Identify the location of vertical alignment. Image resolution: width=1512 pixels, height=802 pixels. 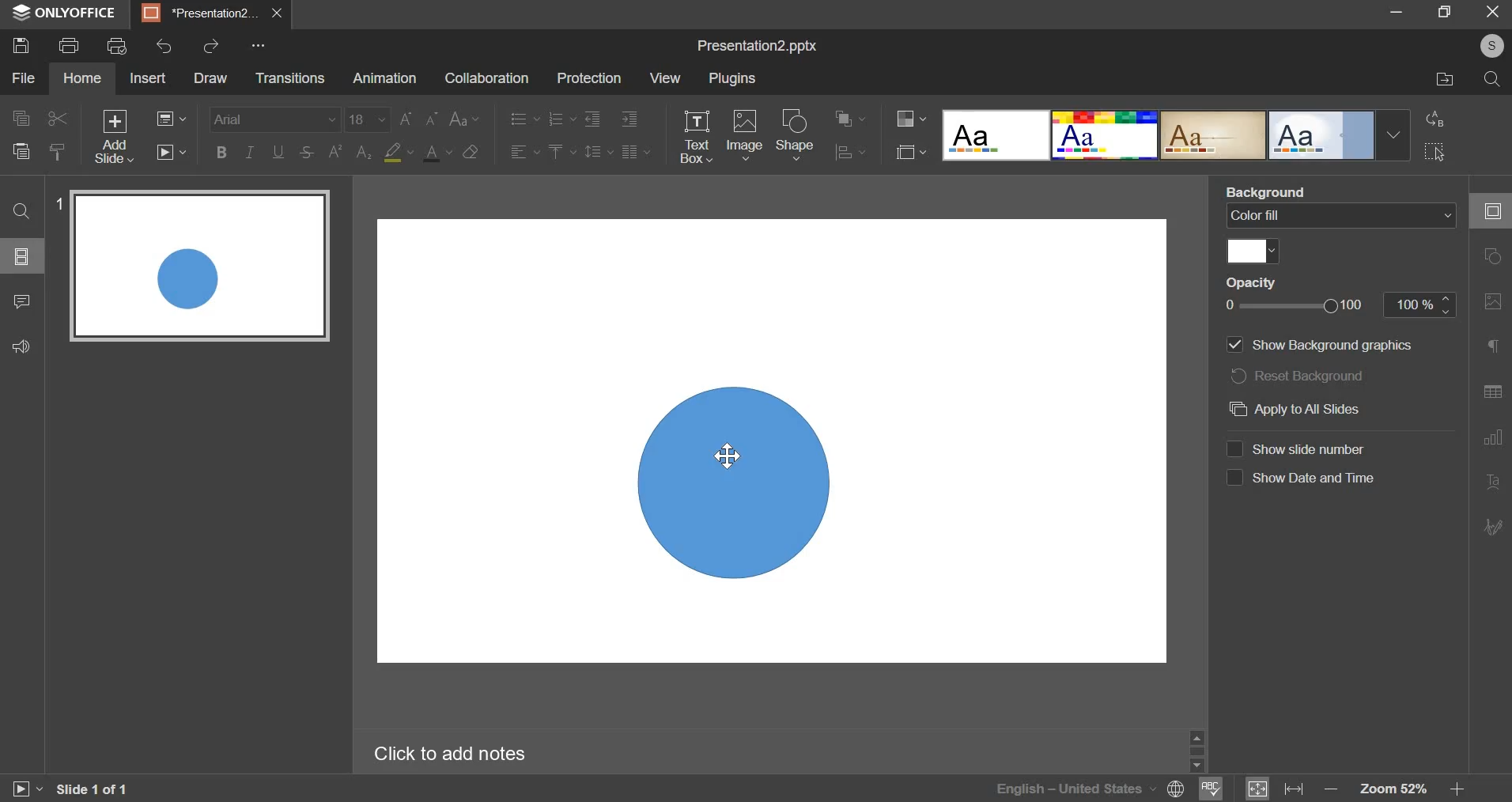
(562, 151).